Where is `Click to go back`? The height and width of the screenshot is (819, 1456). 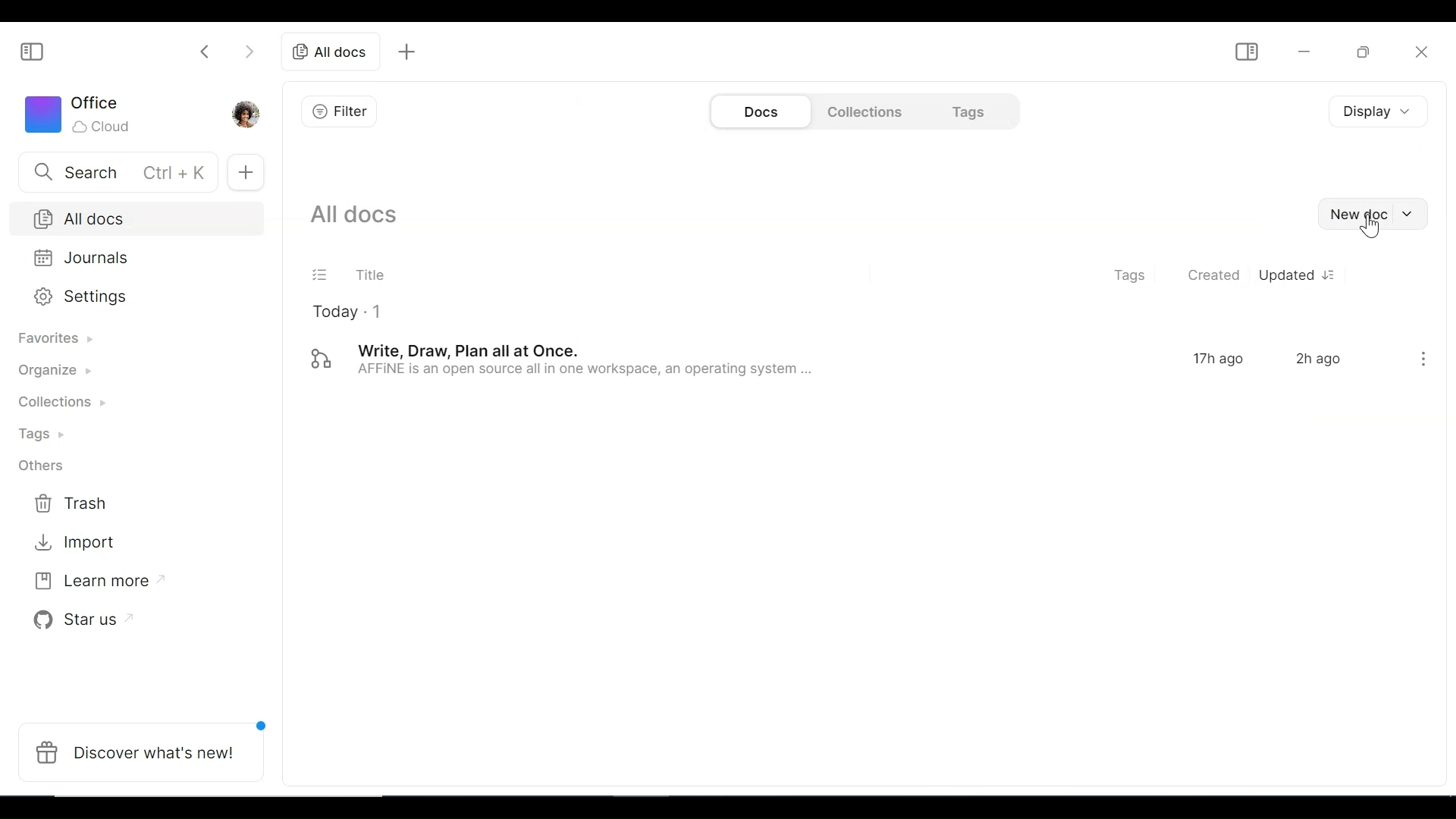 Click to go back is located at coordinates (199, 52).